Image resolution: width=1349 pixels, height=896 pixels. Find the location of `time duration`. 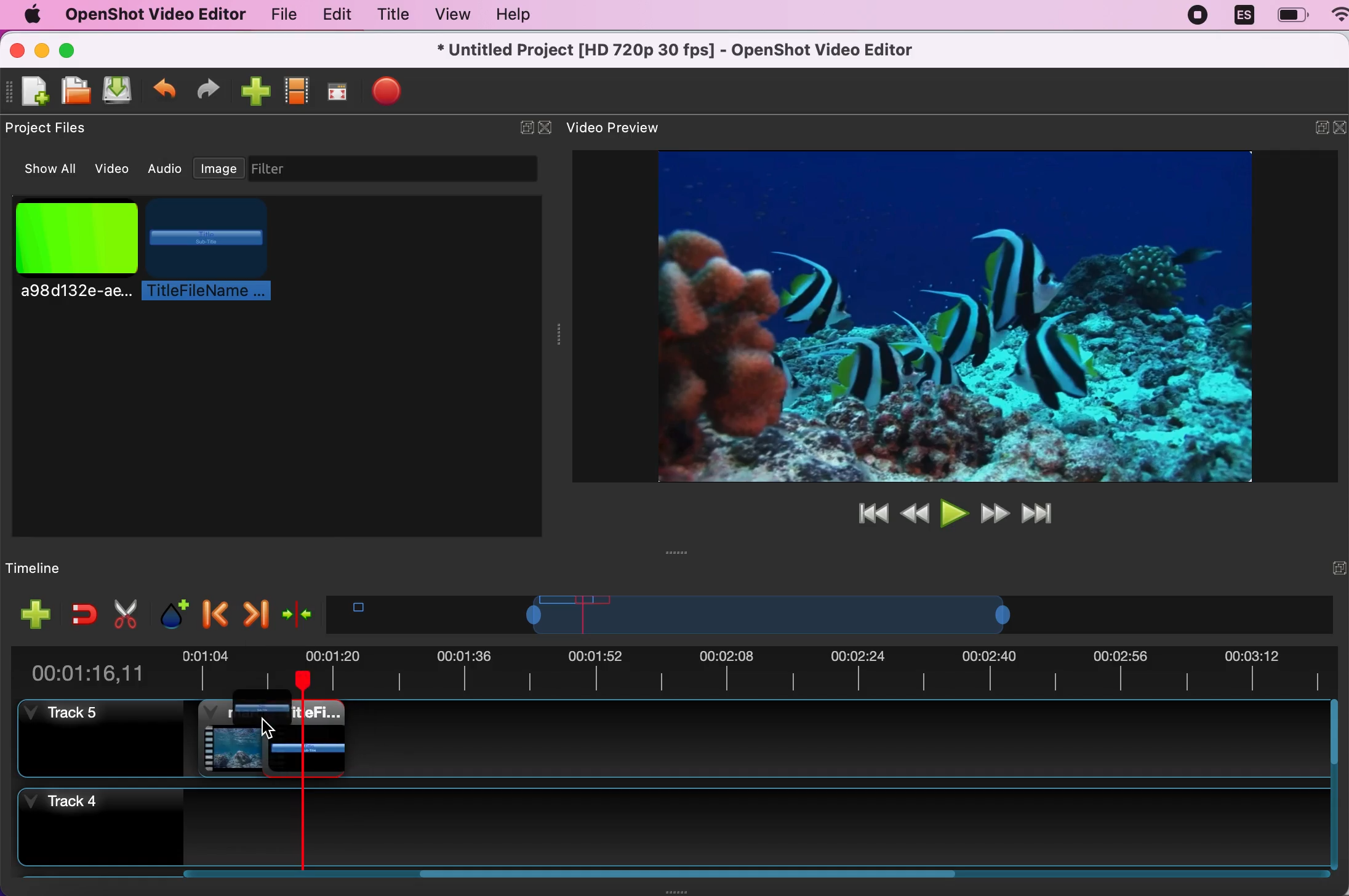

time duration is located at coordinates (676, 668).